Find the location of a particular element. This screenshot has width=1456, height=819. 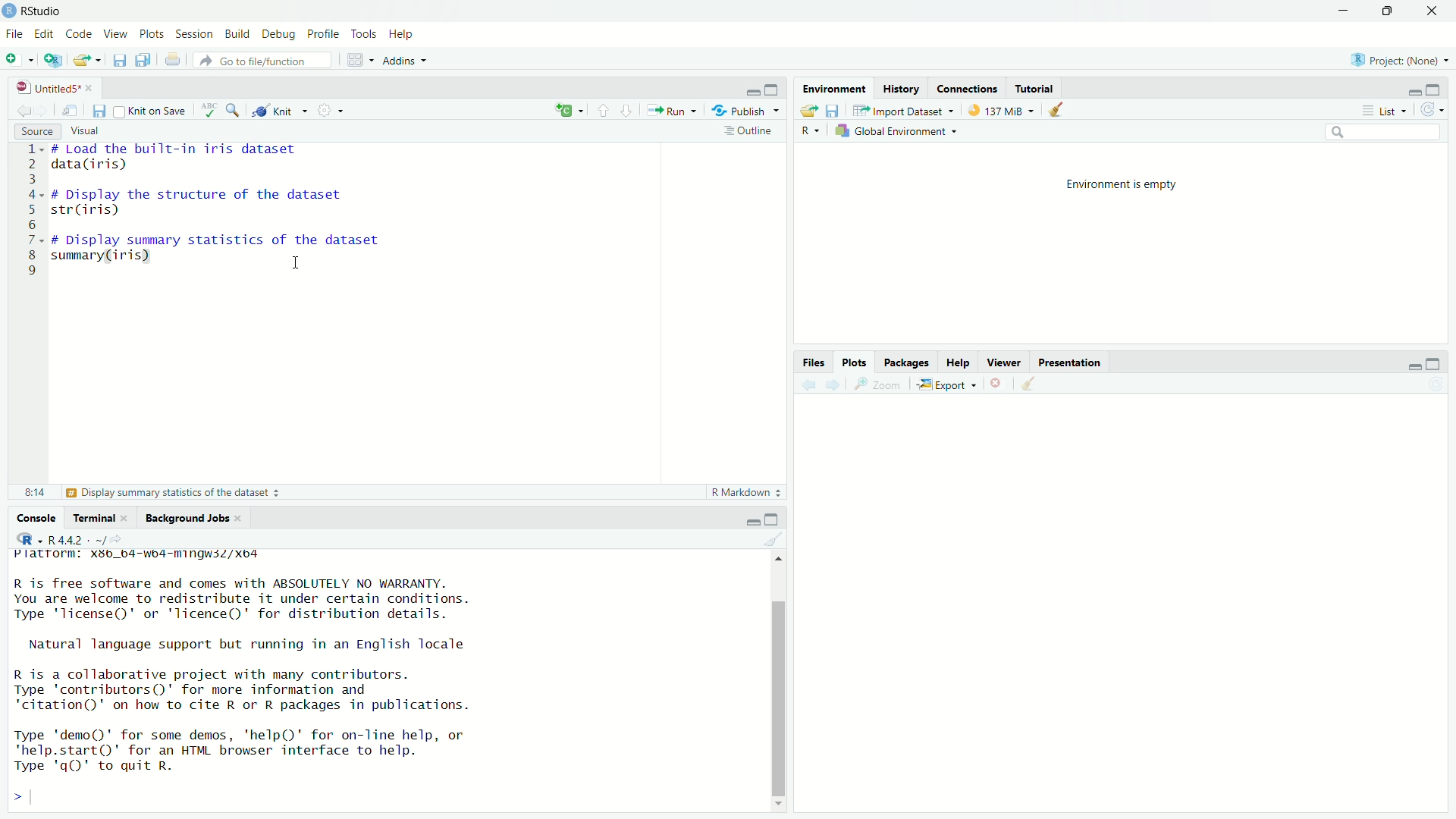

Console is located at coordinates (35, 518).